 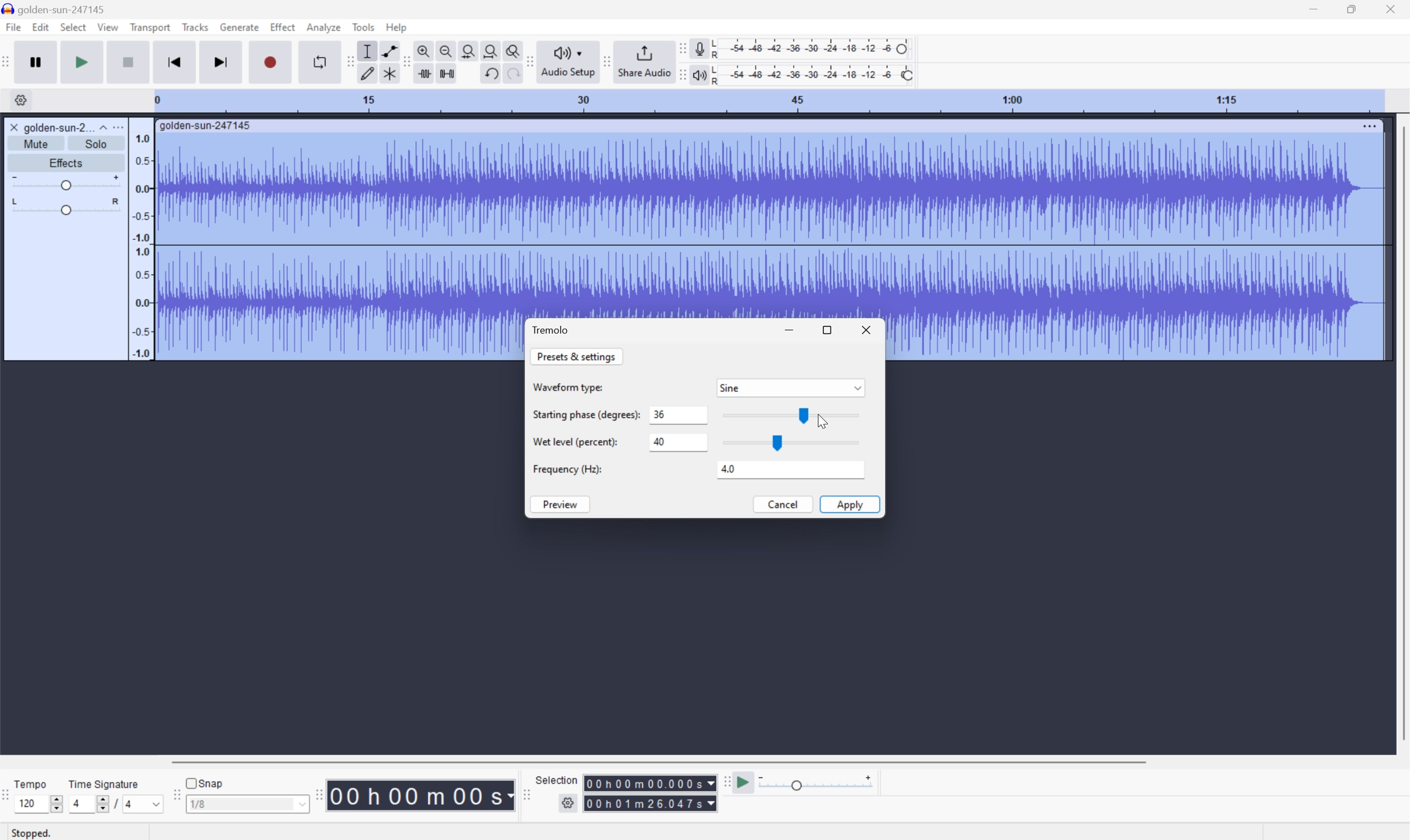 What do you see at coordinates (127, 62) in the screenshot?
I see `Stop` at bounding box center [127, 62].